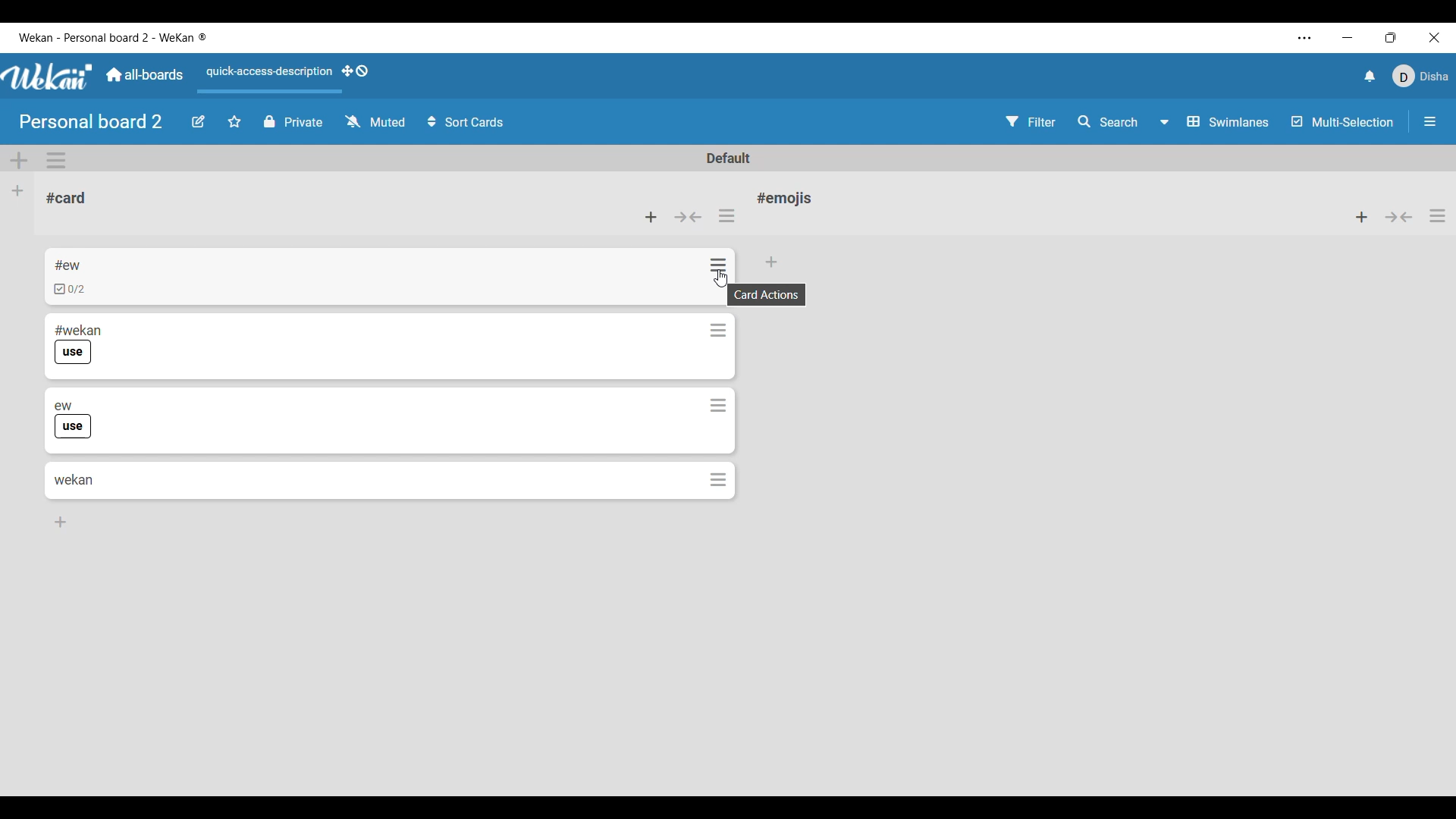 The image size is (1456, 819). I want to click on Search , so click(1108, 122).